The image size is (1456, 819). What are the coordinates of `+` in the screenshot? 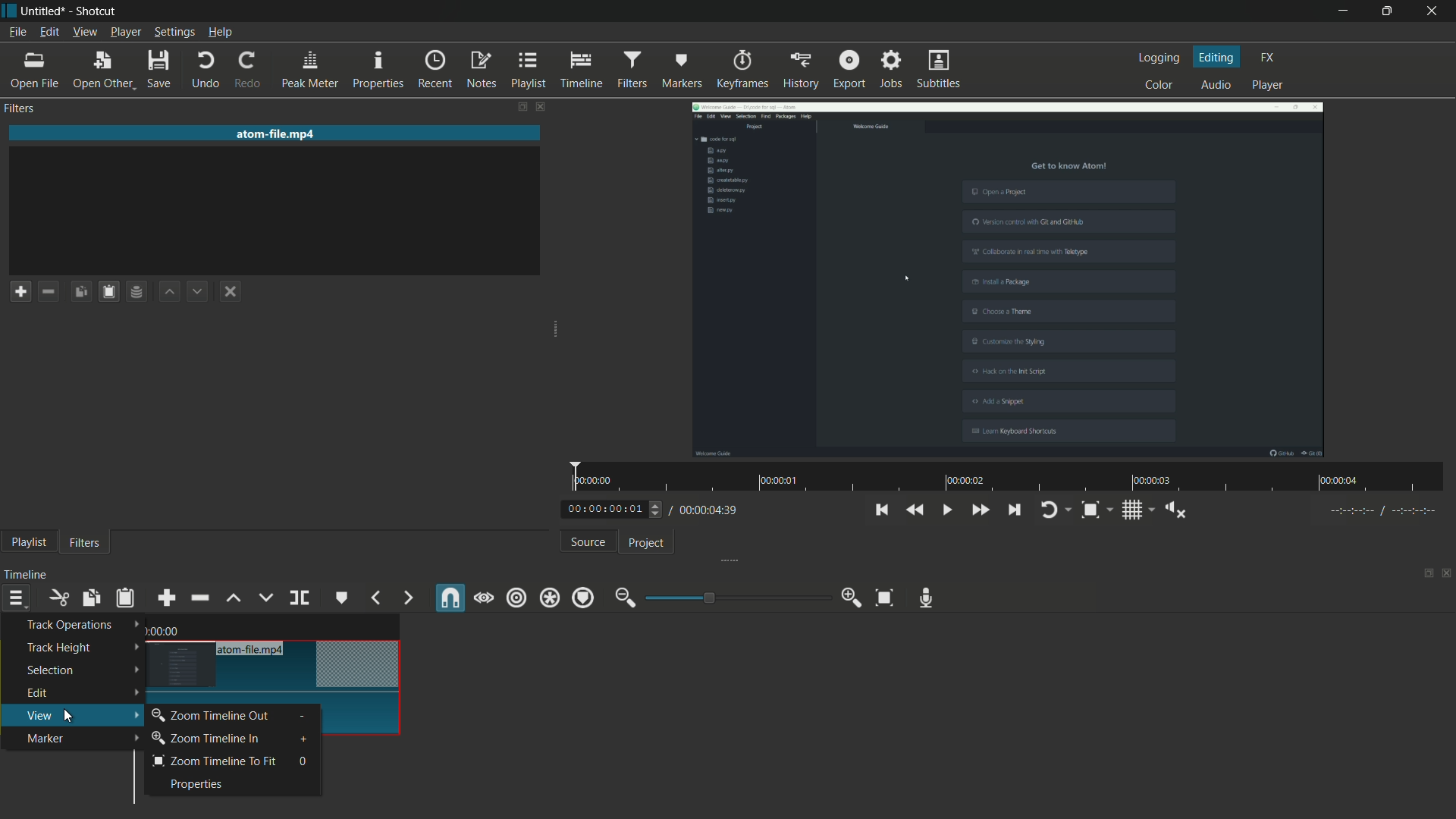 It's located at (307, 741).